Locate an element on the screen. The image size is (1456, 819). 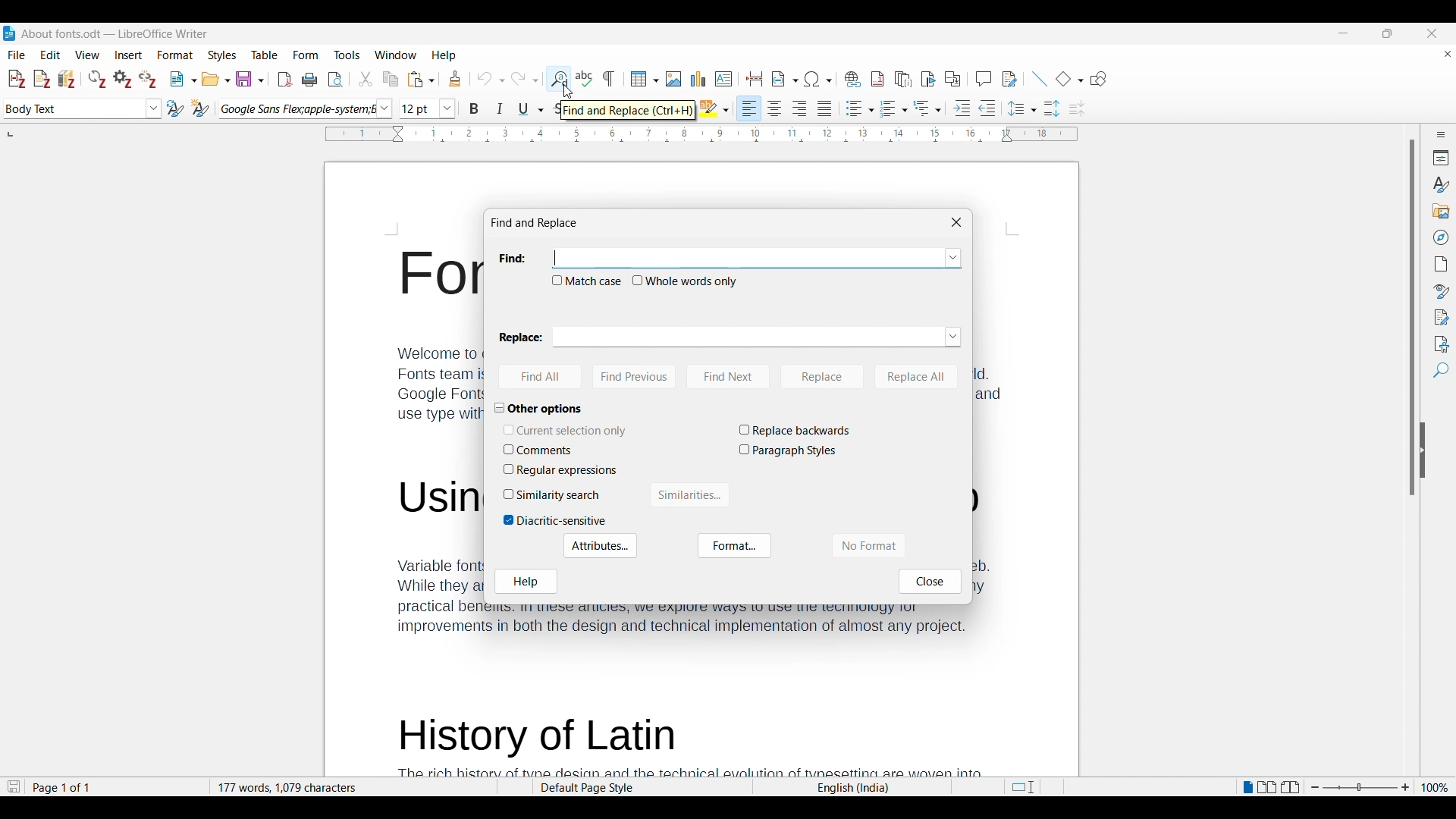
Toggle for Regular expressions is located at coordinates (561, 470).